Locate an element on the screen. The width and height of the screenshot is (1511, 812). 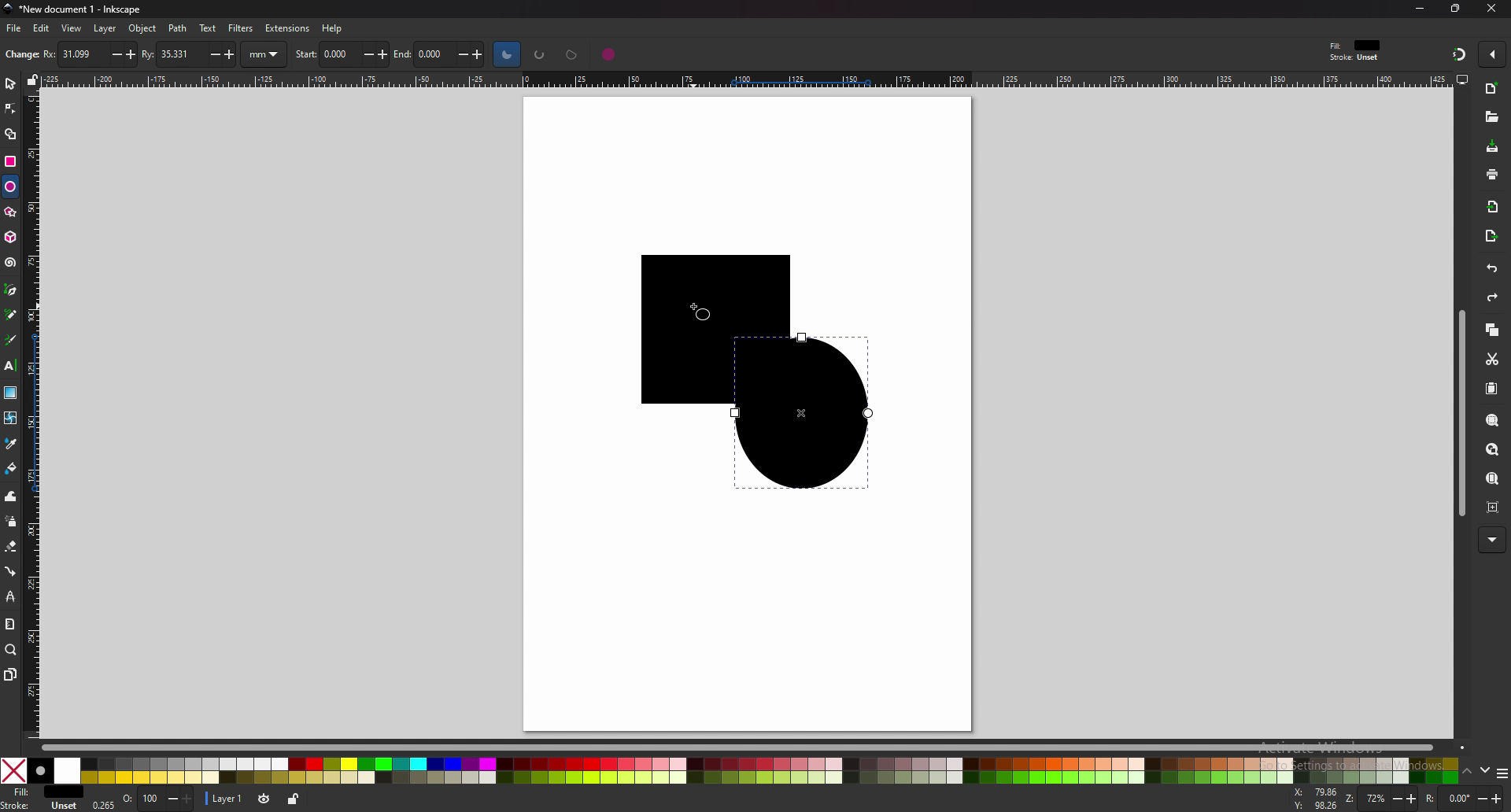
spiral is located at coordinates (11, 262).